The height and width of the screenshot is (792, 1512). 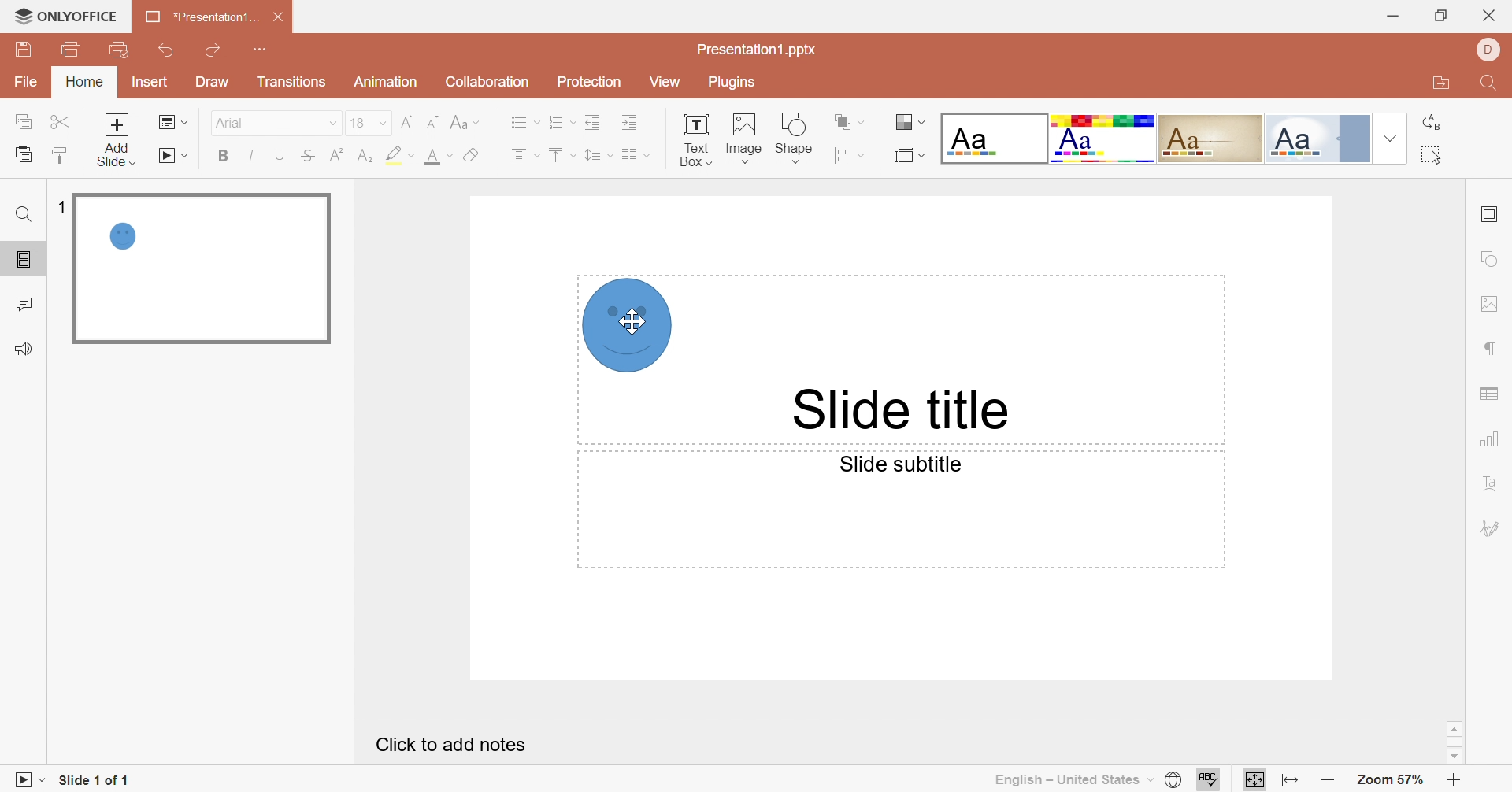 What do you see at coordinates (453, 745) in the screenshot?
I see `Click to add notes` at bounding box center [453, 745].